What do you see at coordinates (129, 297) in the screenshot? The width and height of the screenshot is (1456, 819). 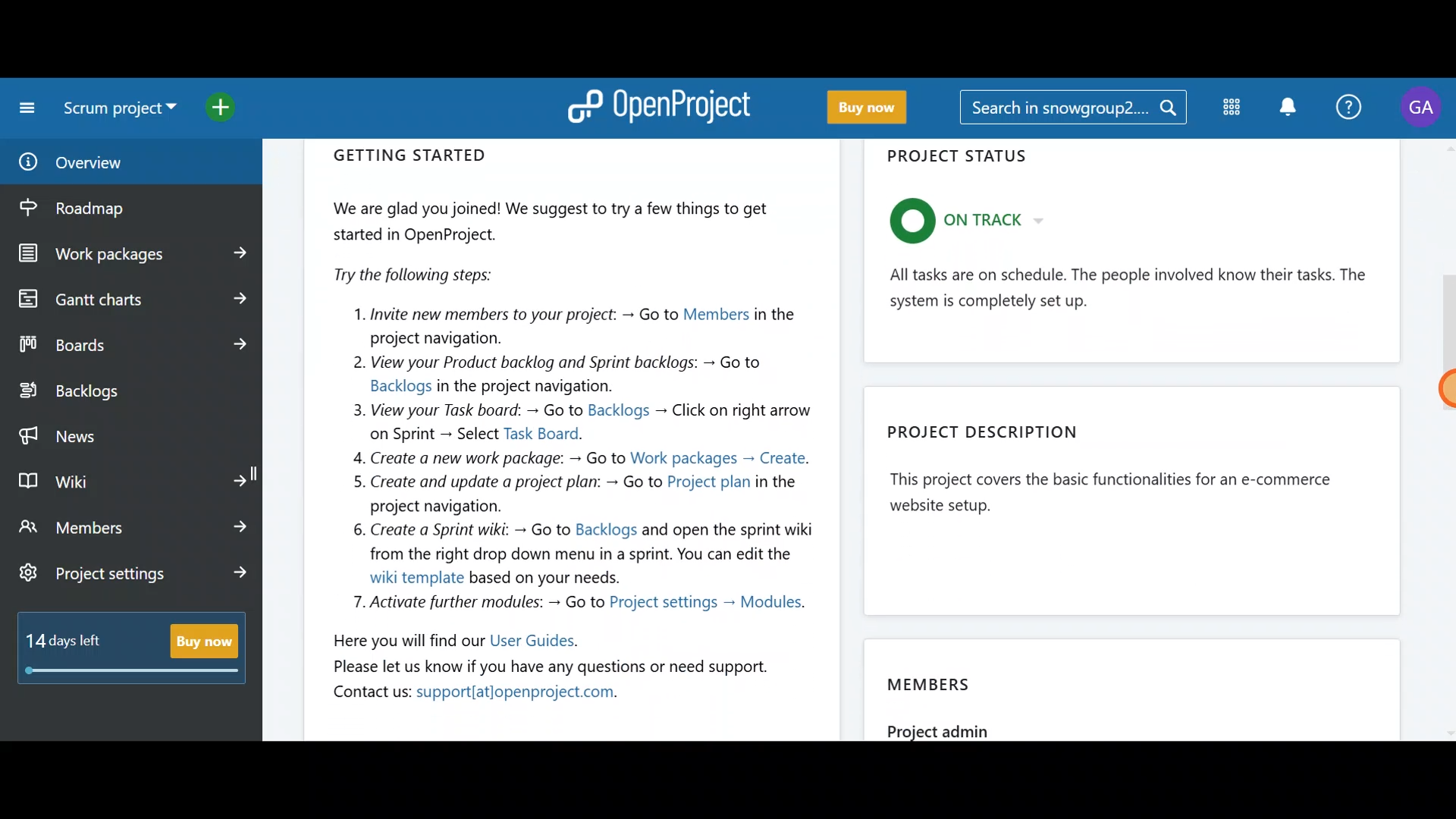 I see `Gantt charts` at bounding box center [129, 297].